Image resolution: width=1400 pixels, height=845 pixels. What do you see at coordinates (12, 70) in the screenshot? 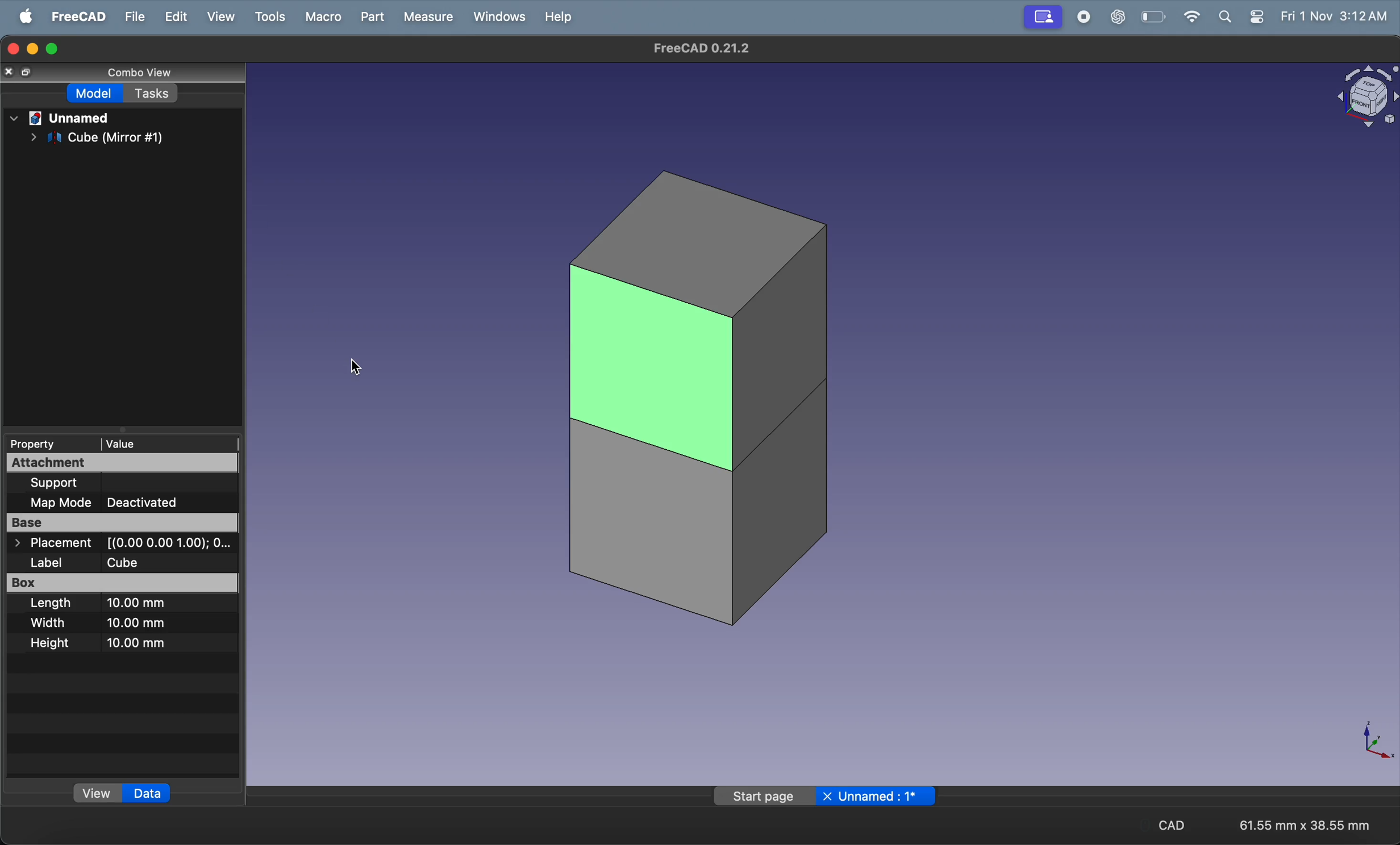
I see `close` at bounding box center [12, 70].